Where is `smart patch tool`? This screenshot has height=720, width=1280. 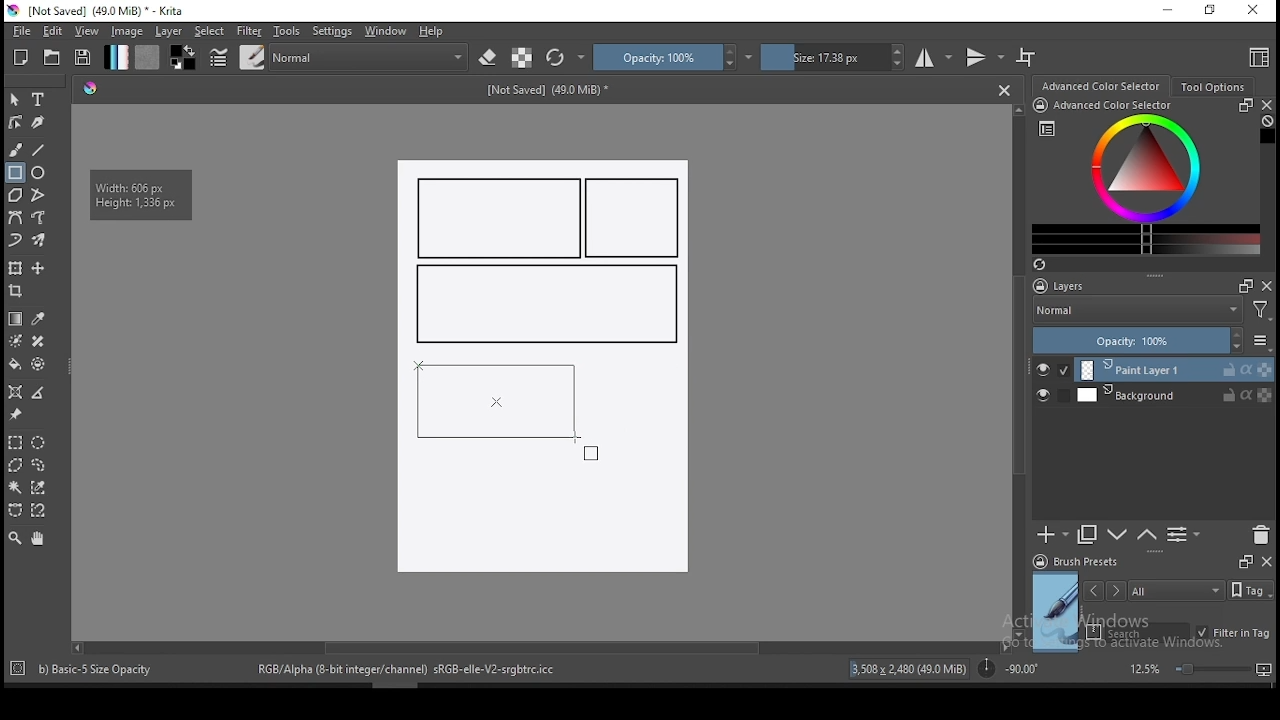 smart patch tool is located at coordinates (38, 341).